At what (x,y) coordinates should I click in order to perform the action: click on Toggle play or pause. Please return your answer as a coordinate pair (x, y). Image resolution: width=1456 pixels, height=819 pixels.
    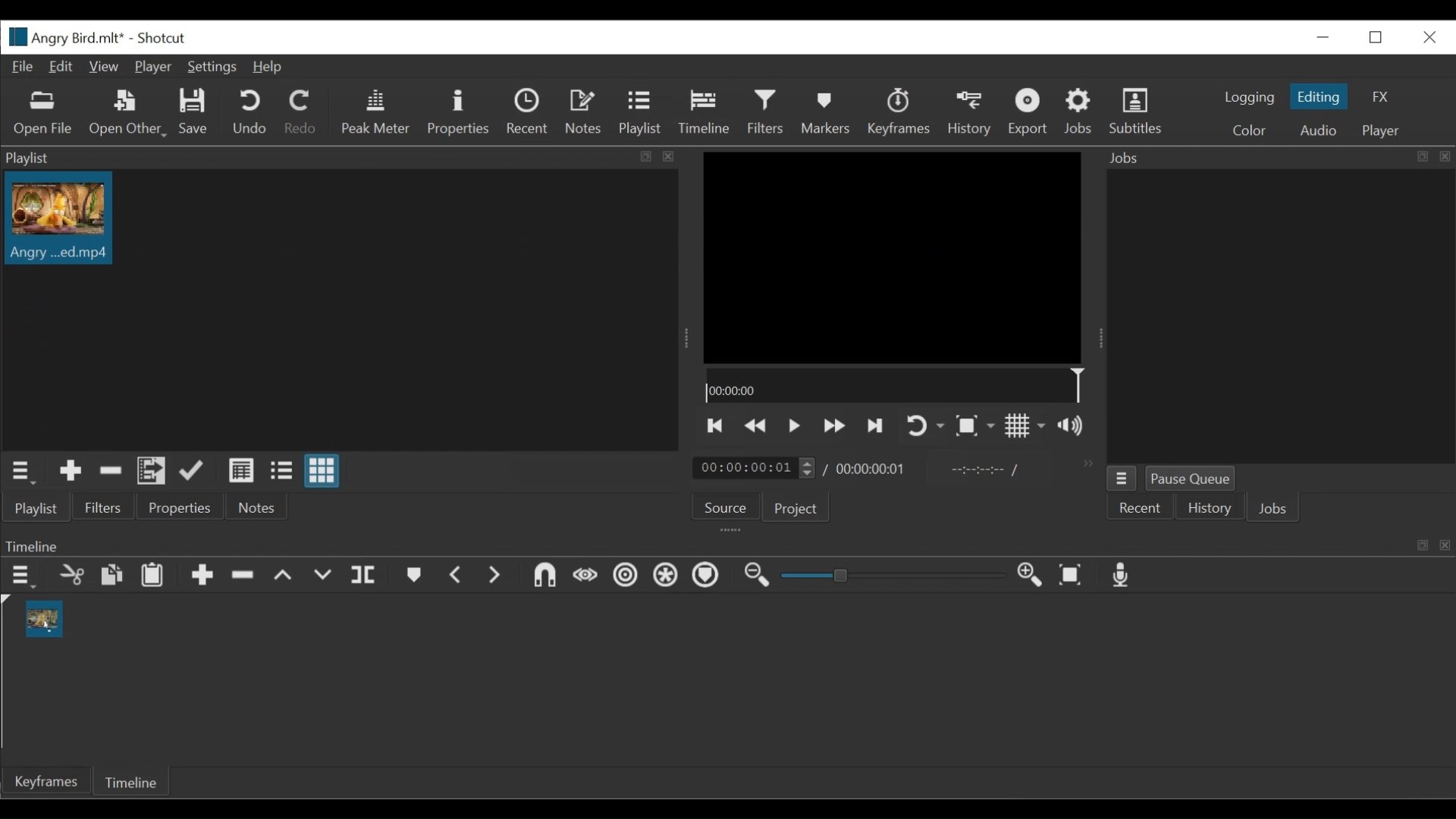
    Looking at the image, I should click on (793, 425).